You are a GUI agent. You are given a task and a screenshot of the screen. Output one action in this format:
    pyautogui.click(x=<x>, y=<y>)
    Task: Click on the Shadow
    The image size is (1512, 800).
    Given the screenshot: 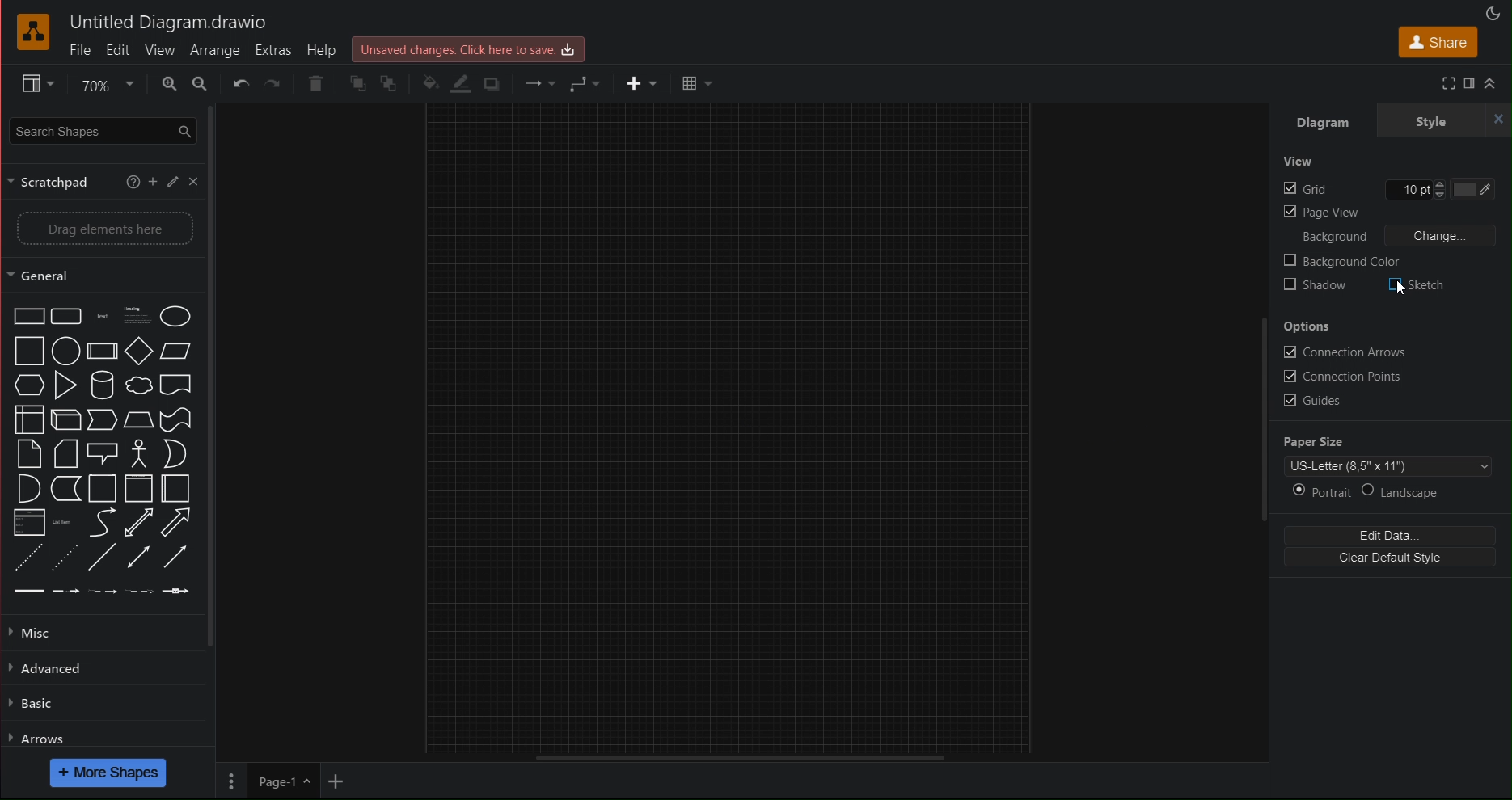 What is the action you would take?
    pyautogui.click(x=1320, y=284)
    